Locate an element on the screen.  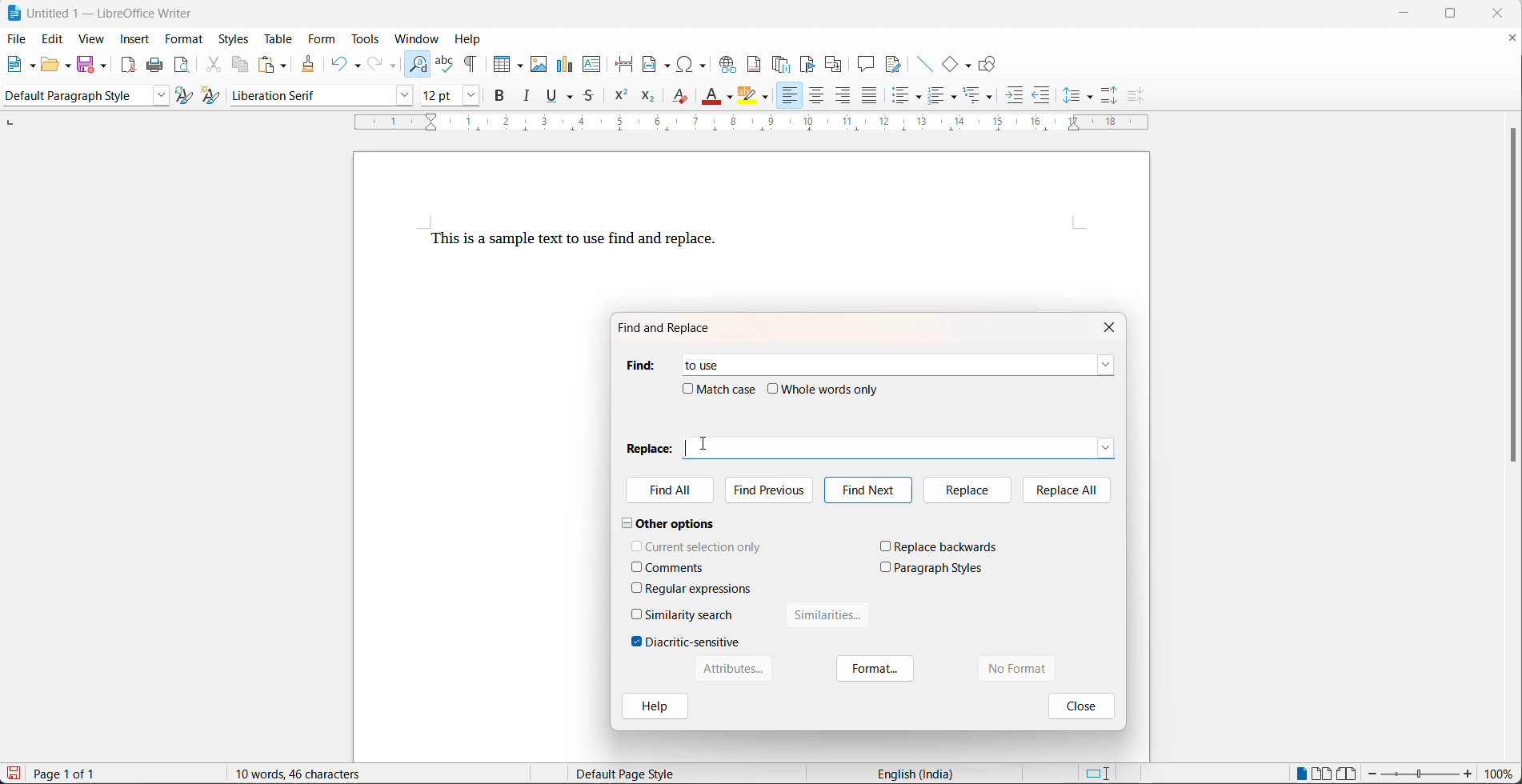
basic shapes is located at coordinates (951, 64).